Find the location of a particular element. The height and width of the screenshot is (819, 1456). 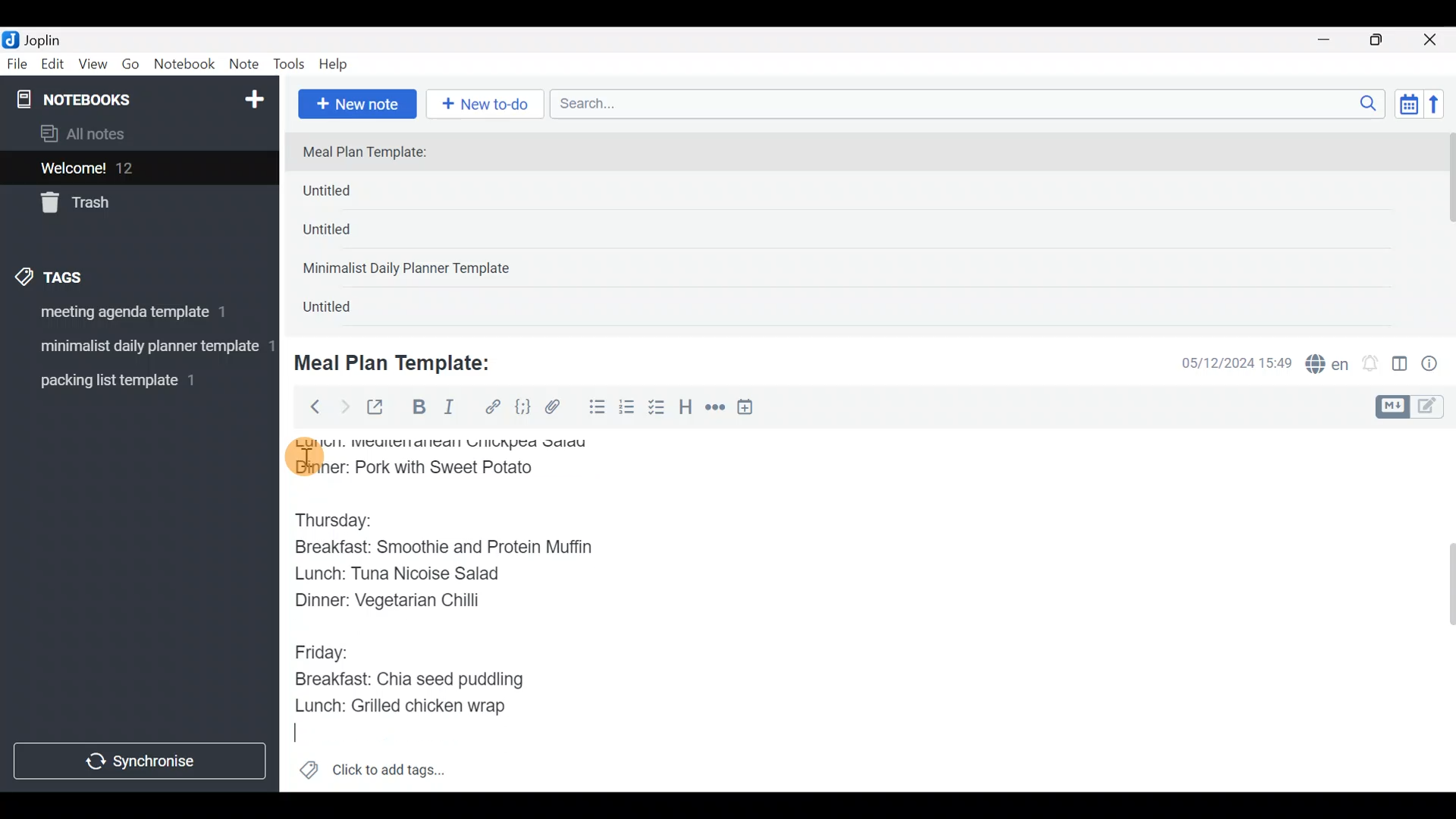

Help is located at coordinates (339, 61).